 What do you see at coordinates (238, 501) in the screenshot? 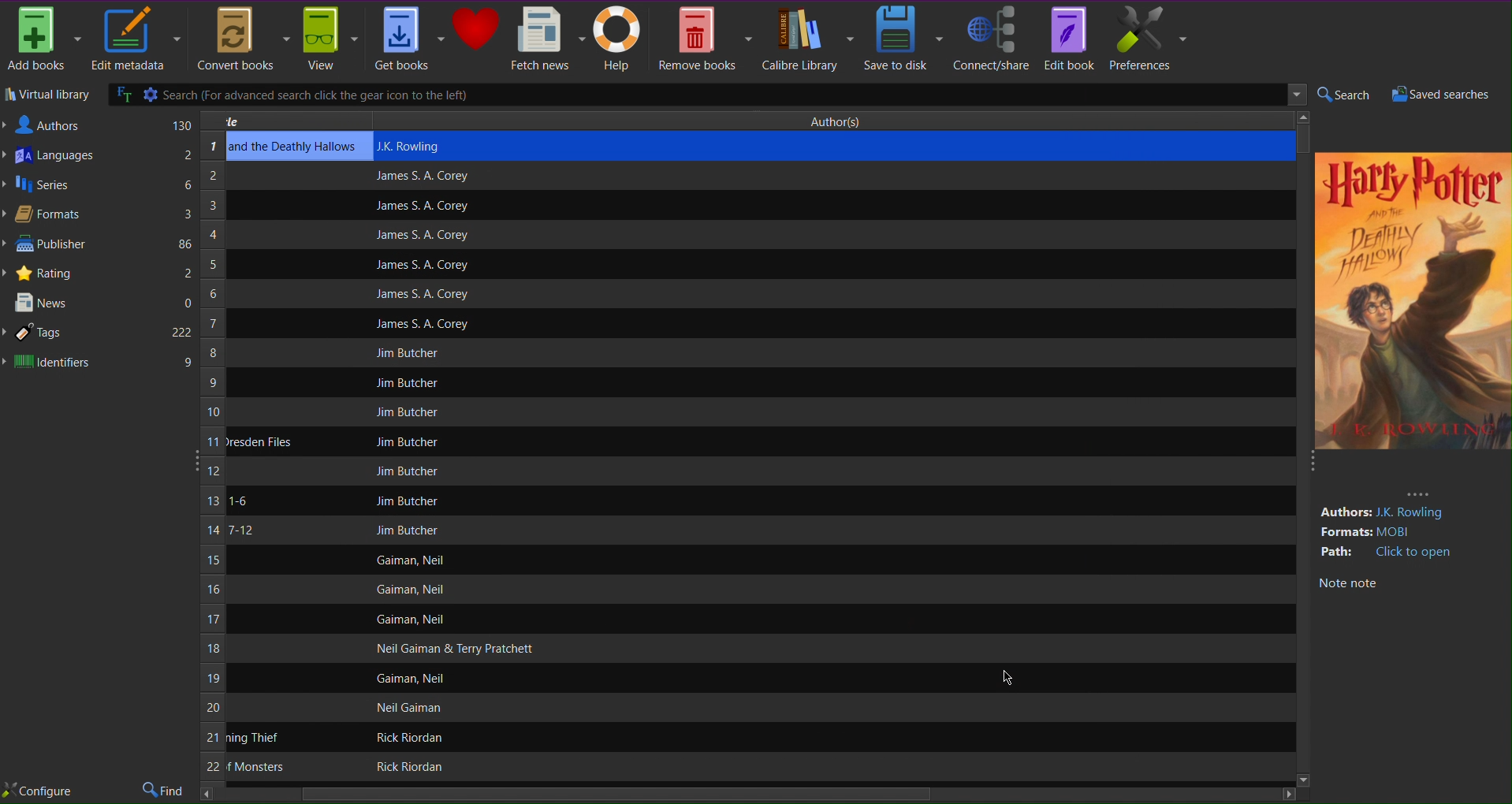
I see `1-6` at bounding box center [238, 501].